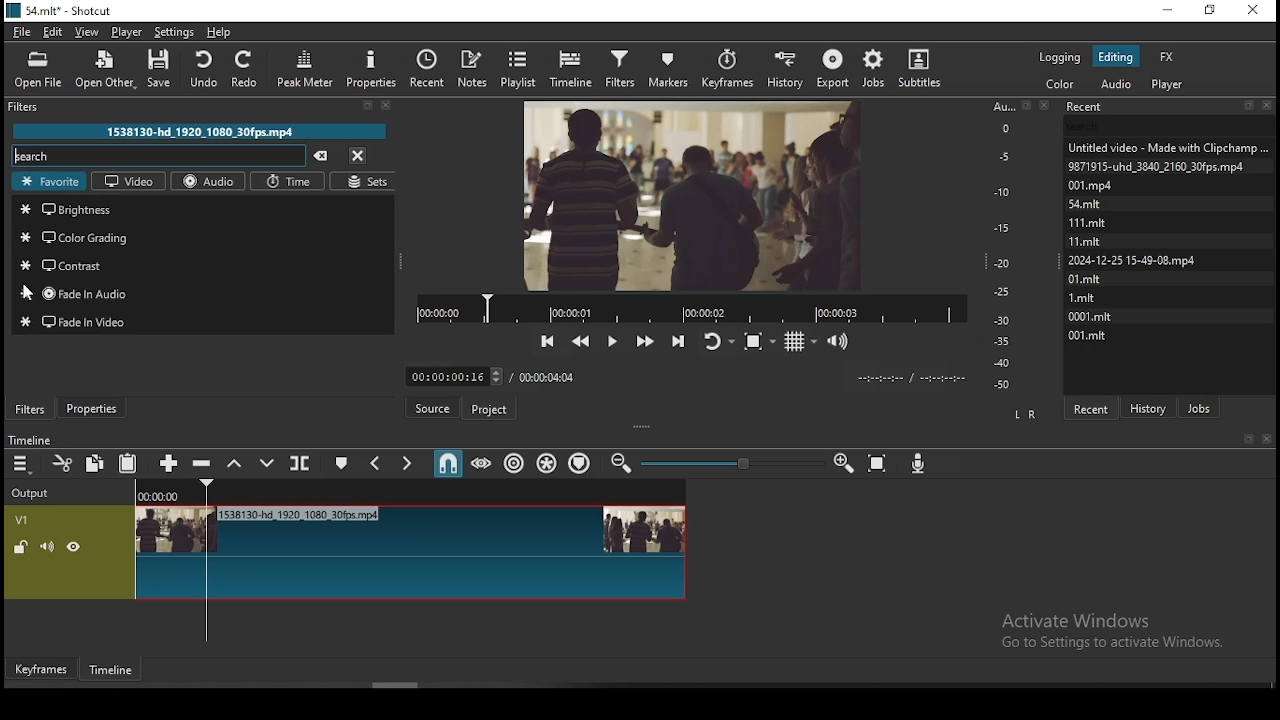  Describe the element at coordinates (1248, 440) in the screenshot. I see `bookmark` at that location.